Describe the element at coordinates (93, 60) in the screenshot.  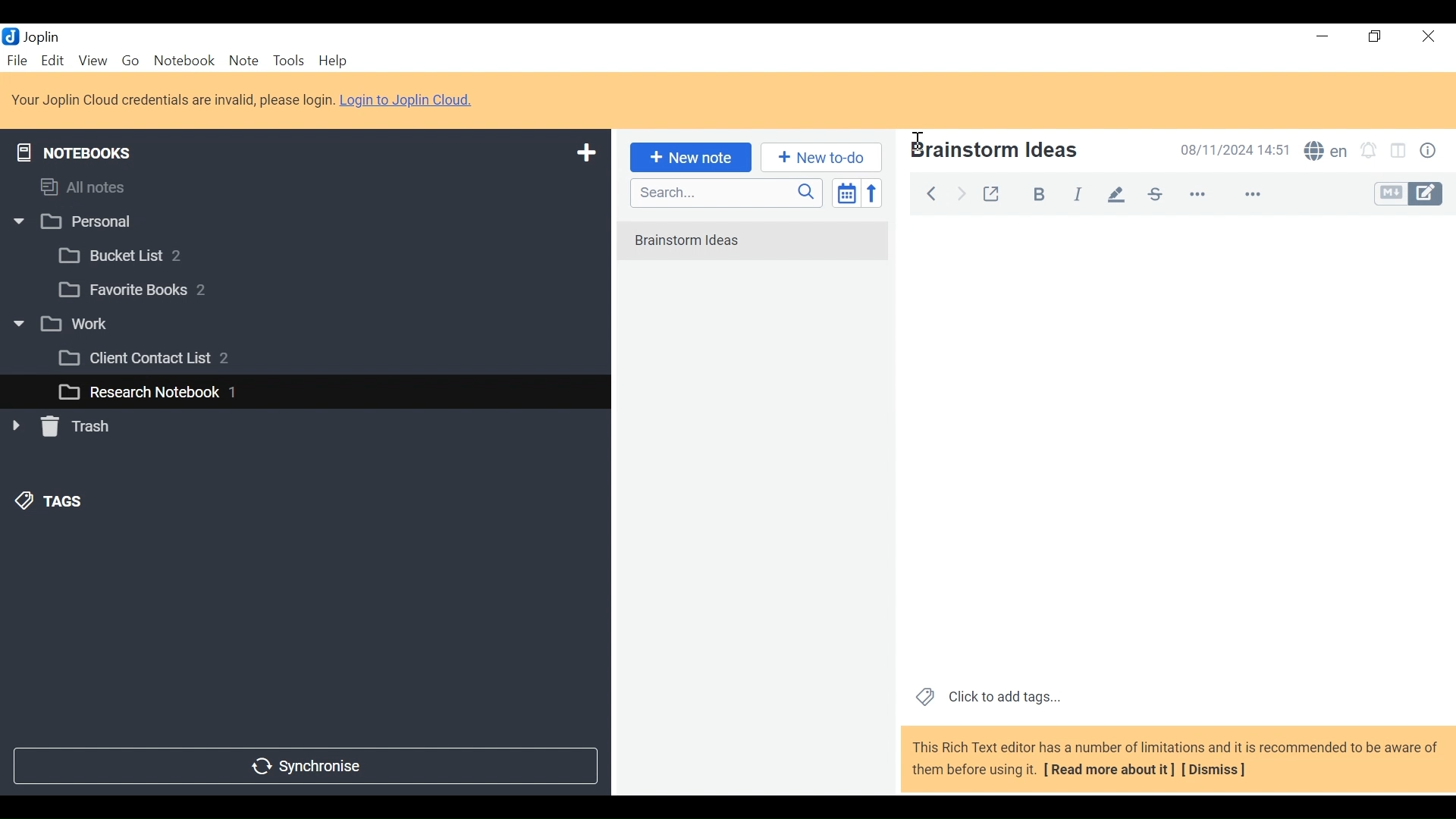
I see `View` at that location.